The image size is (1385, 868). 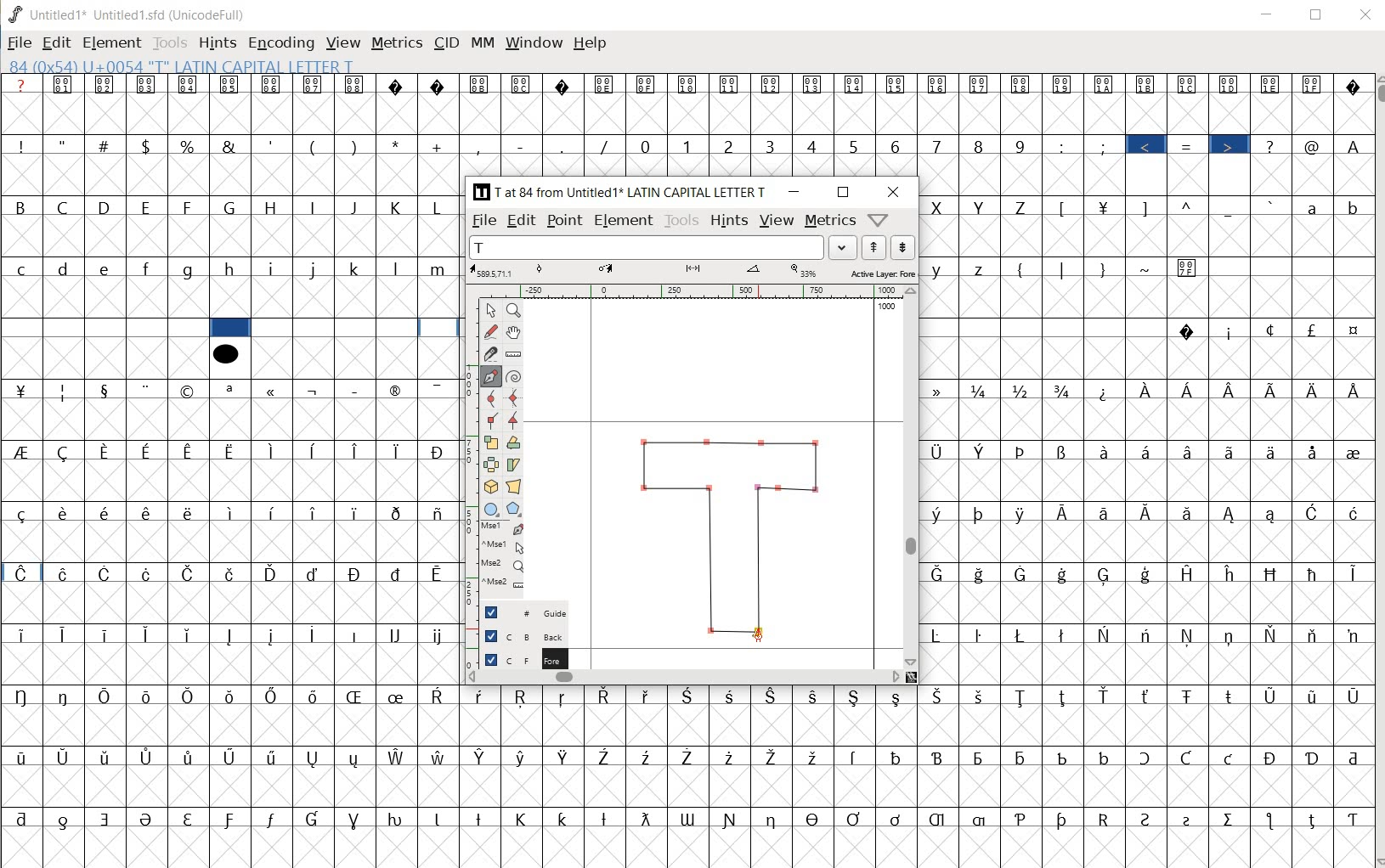 What do you see at coordinates (514, 375) in the screenshot?
I see `spiro` at bounding box center [514, 375].